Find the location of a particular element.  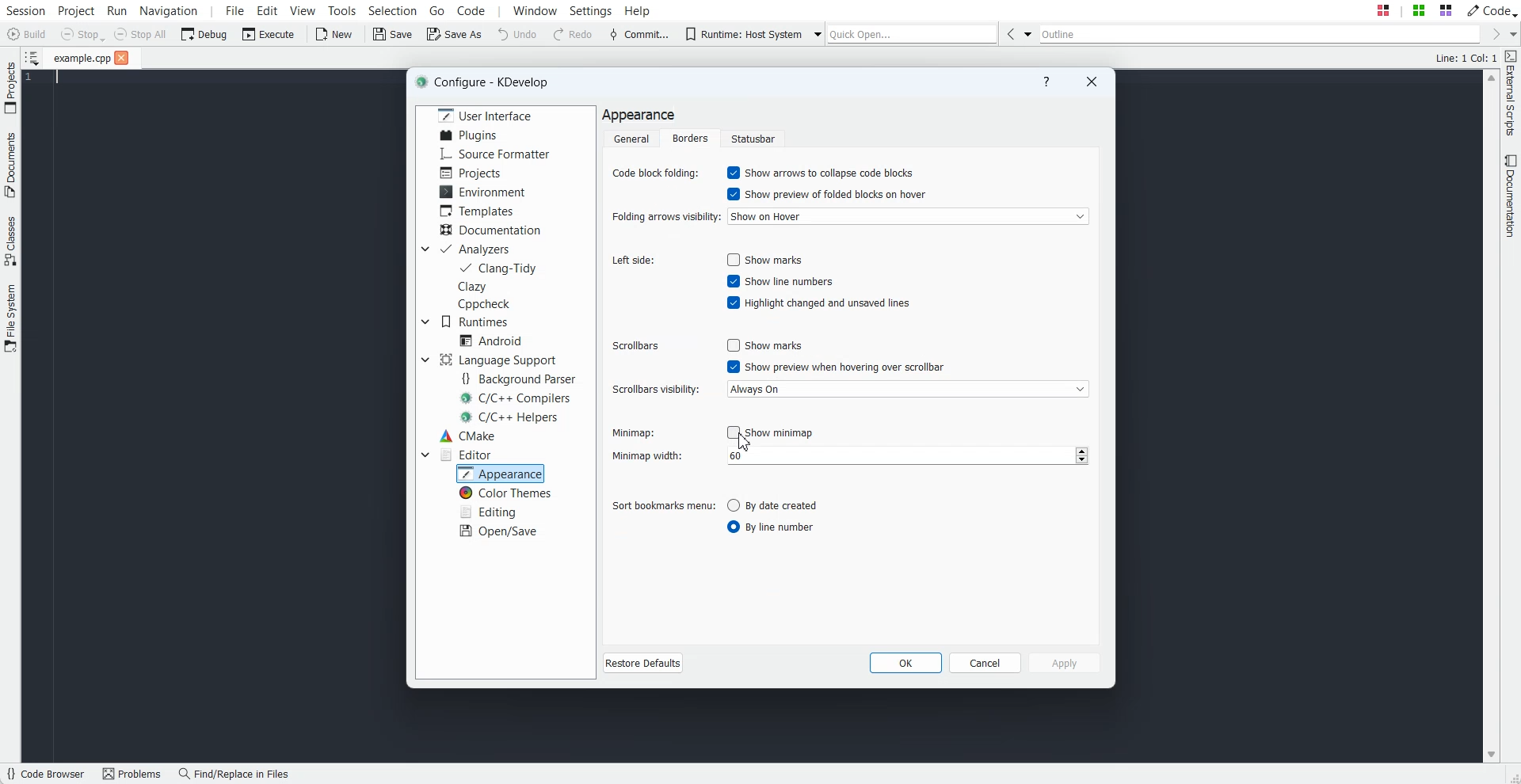

Clang-Tidy is located at coordinates (500, 268).